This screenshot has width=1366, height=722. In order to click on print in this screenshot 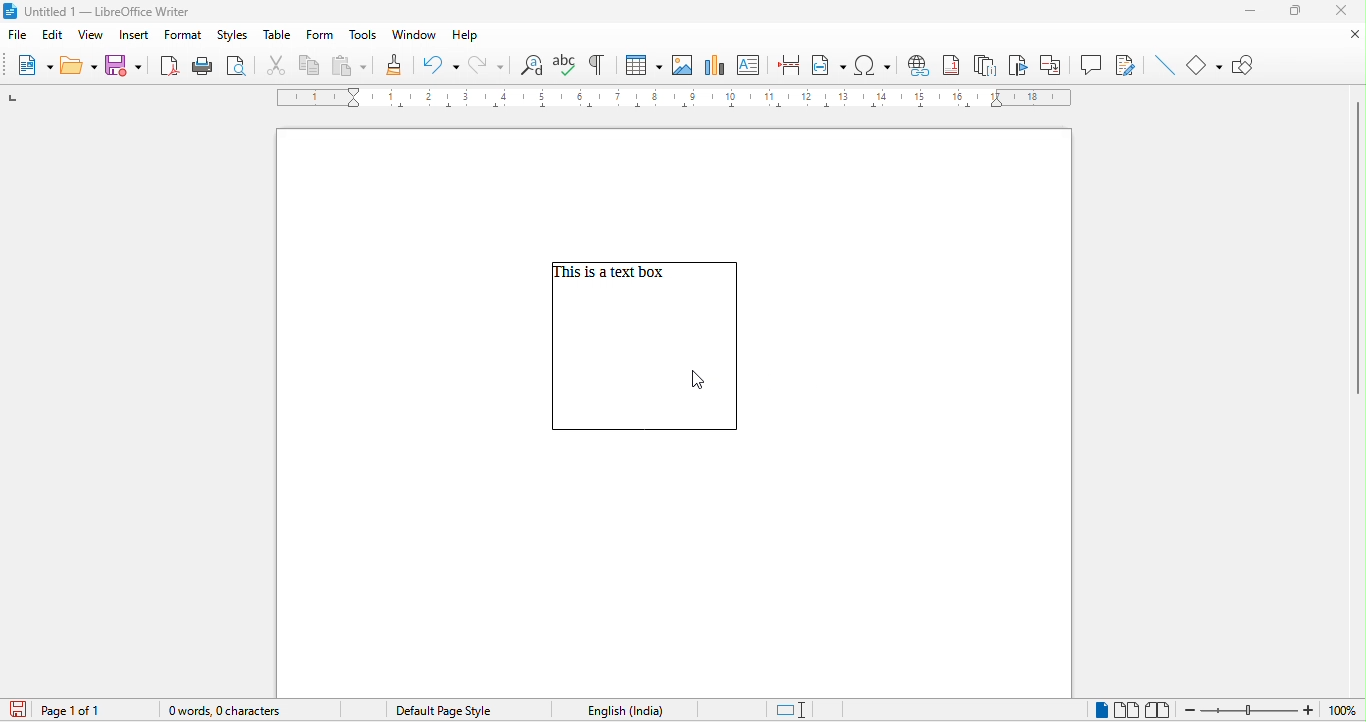, I will do `click(200, 65)`.